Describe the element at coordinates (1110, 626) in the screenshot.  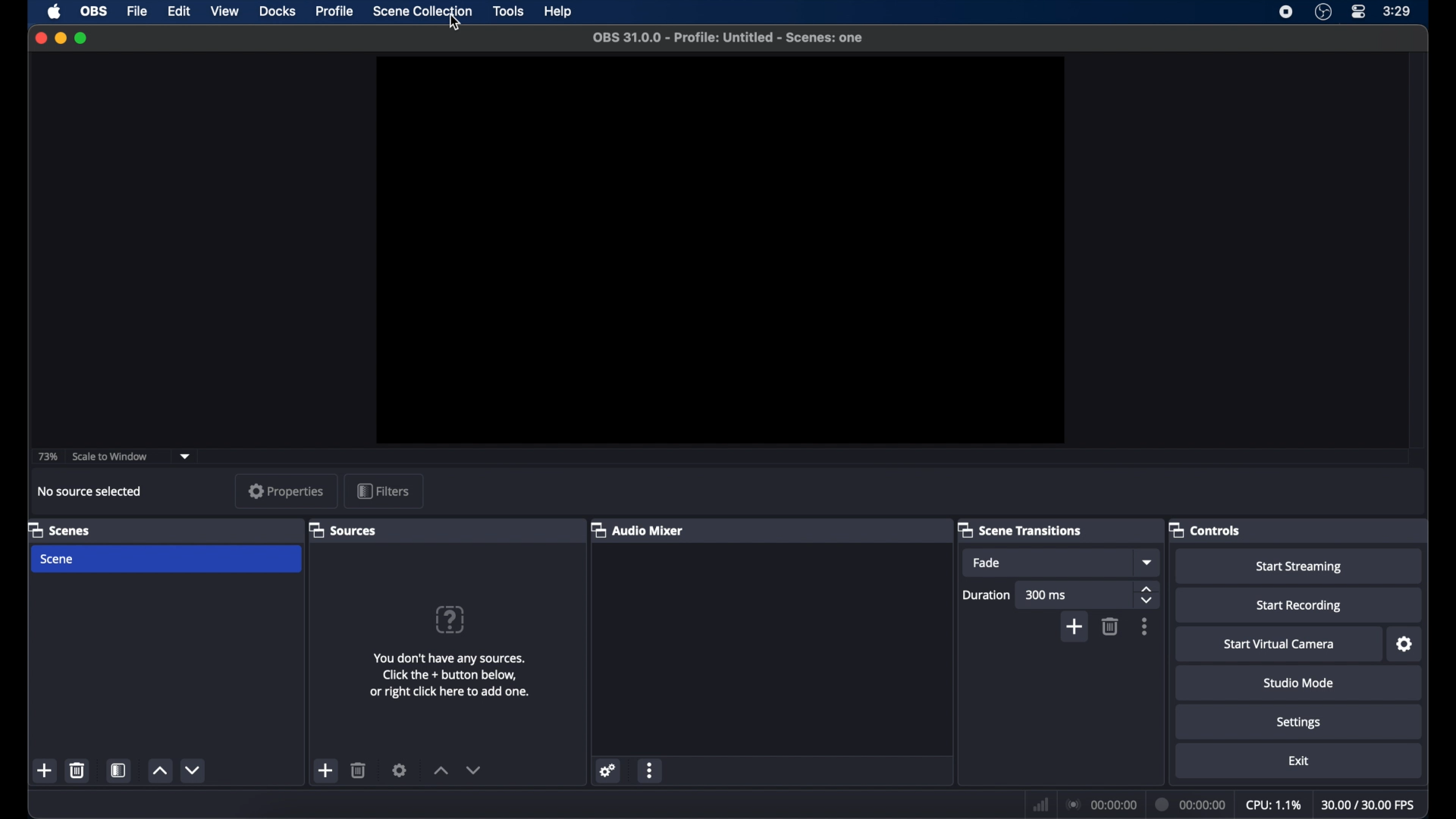
I see `delete` at that location.